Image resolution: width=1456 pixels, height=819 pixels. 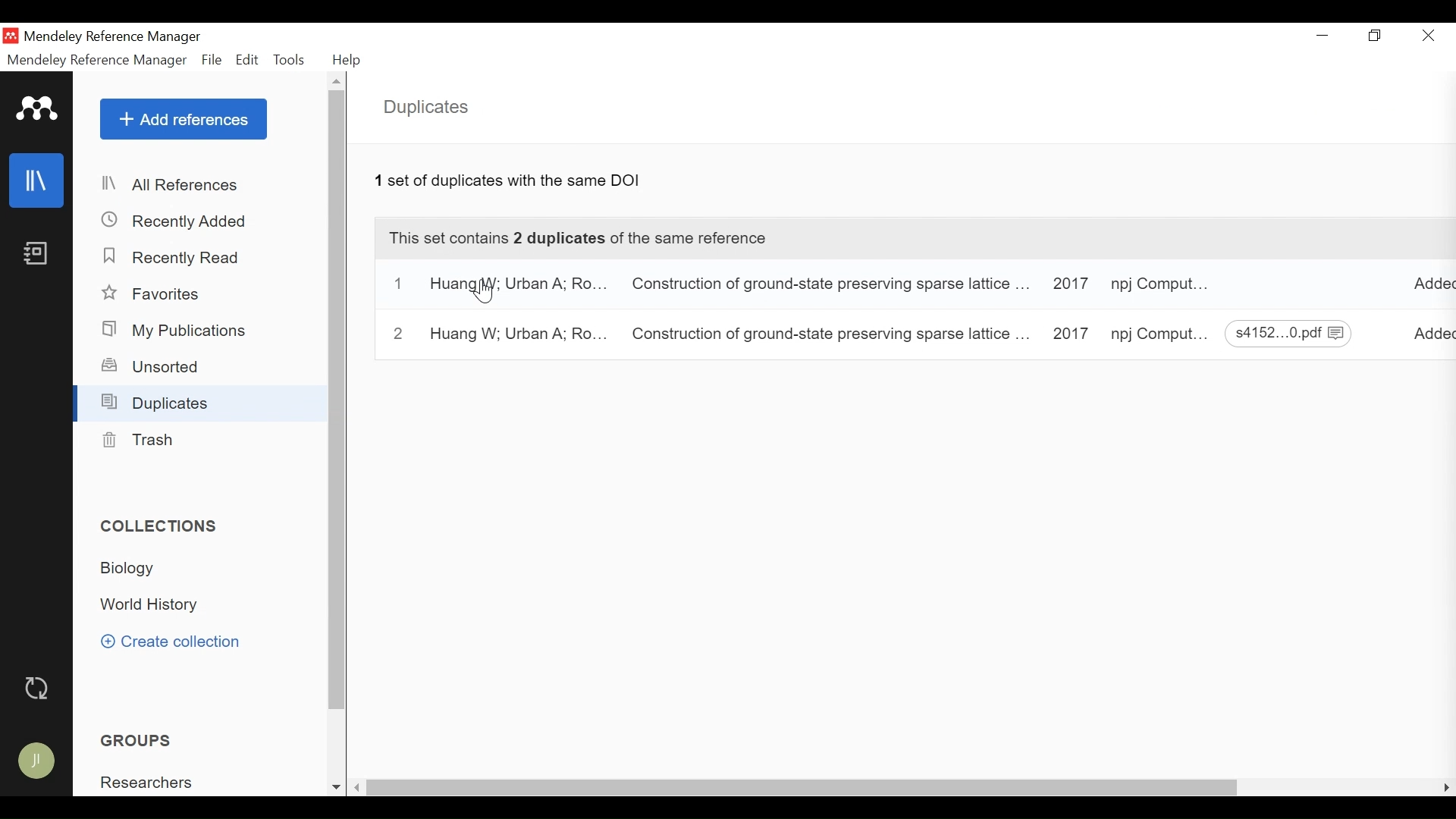 I want to click on Mendeley Reference Manager, so click(x=117, y=37).